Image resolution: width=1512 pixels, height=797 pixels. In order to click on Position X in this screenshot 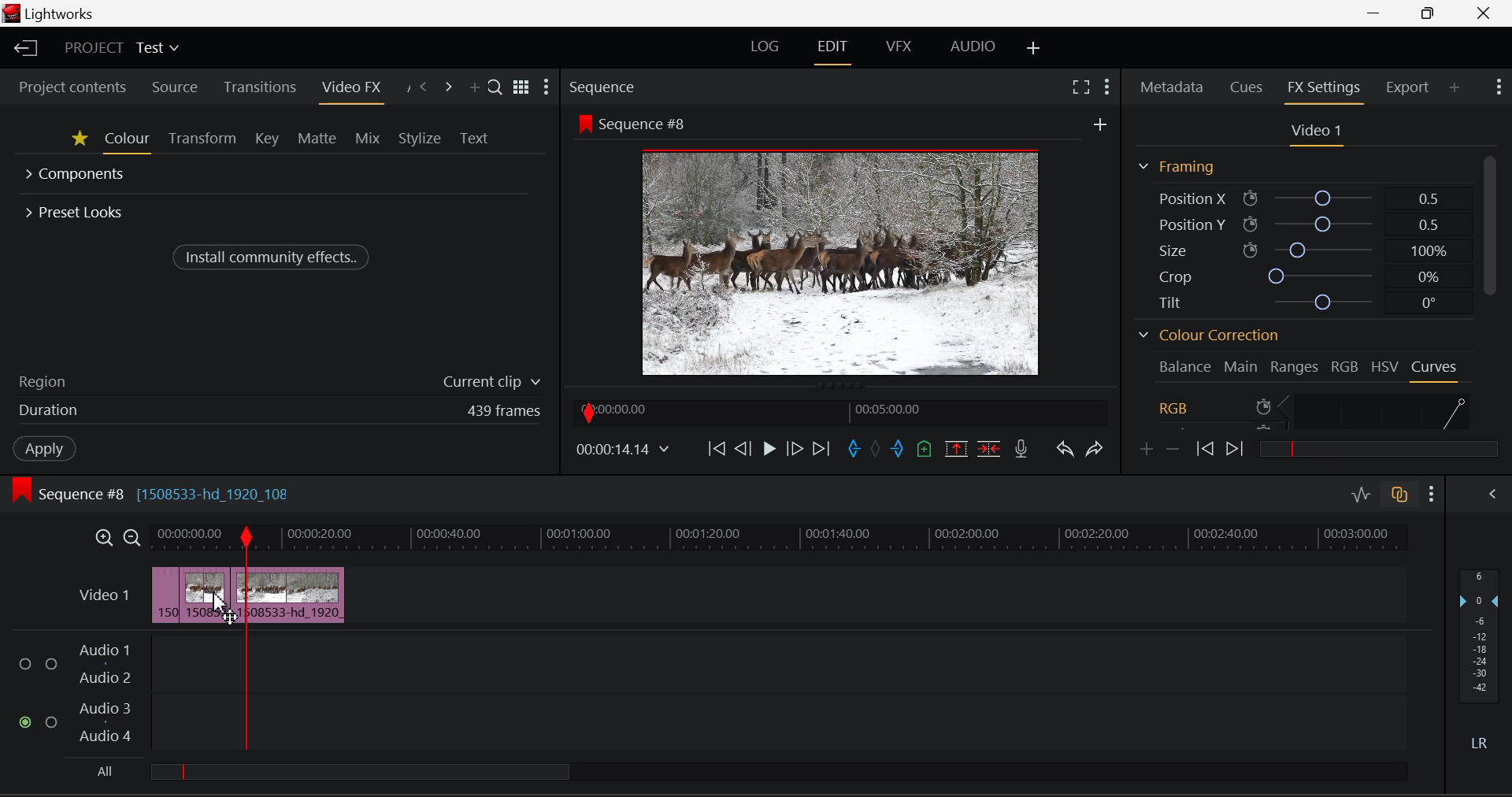, I will do `click(1296, 198)`.